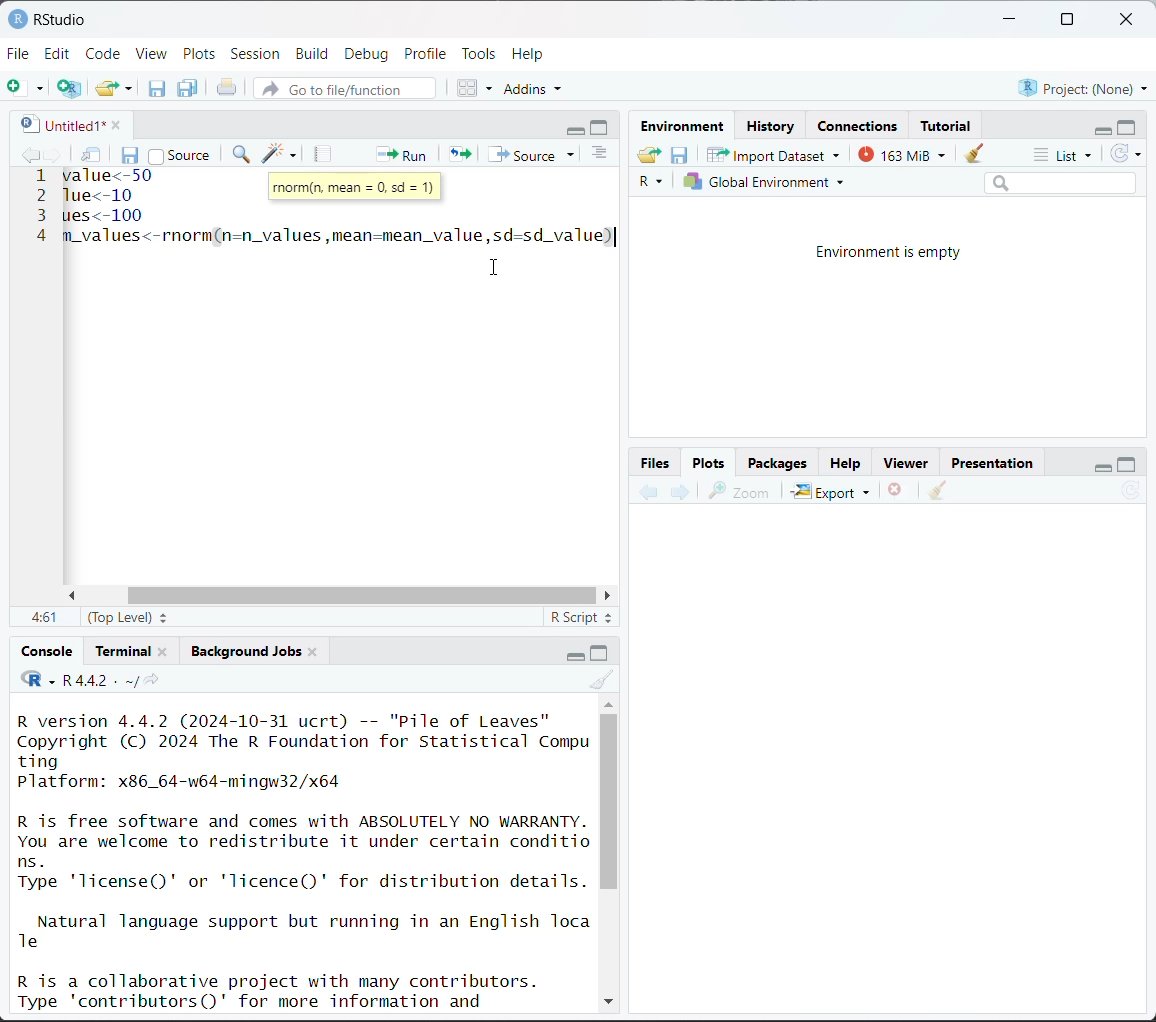 The height and width of the screenshot is (1022, 1156). What do you see at coordinates (609, 801) in the screenshot?
I see `vertical scroll bar` at bounding box center [609, 801].